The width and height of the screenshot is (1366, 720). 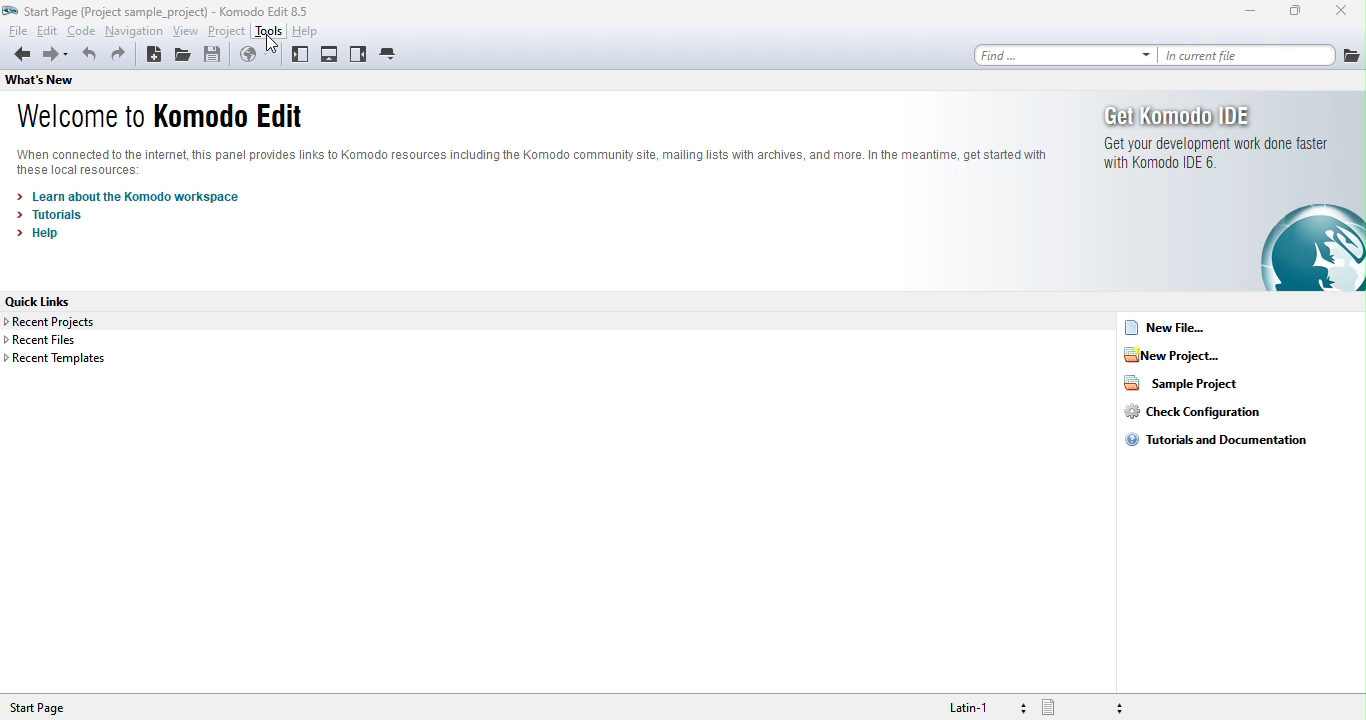 What do you see at coordinates (1191, 418) in the screenshot?
I see `check configuration` at bounding box center [1191, 418].